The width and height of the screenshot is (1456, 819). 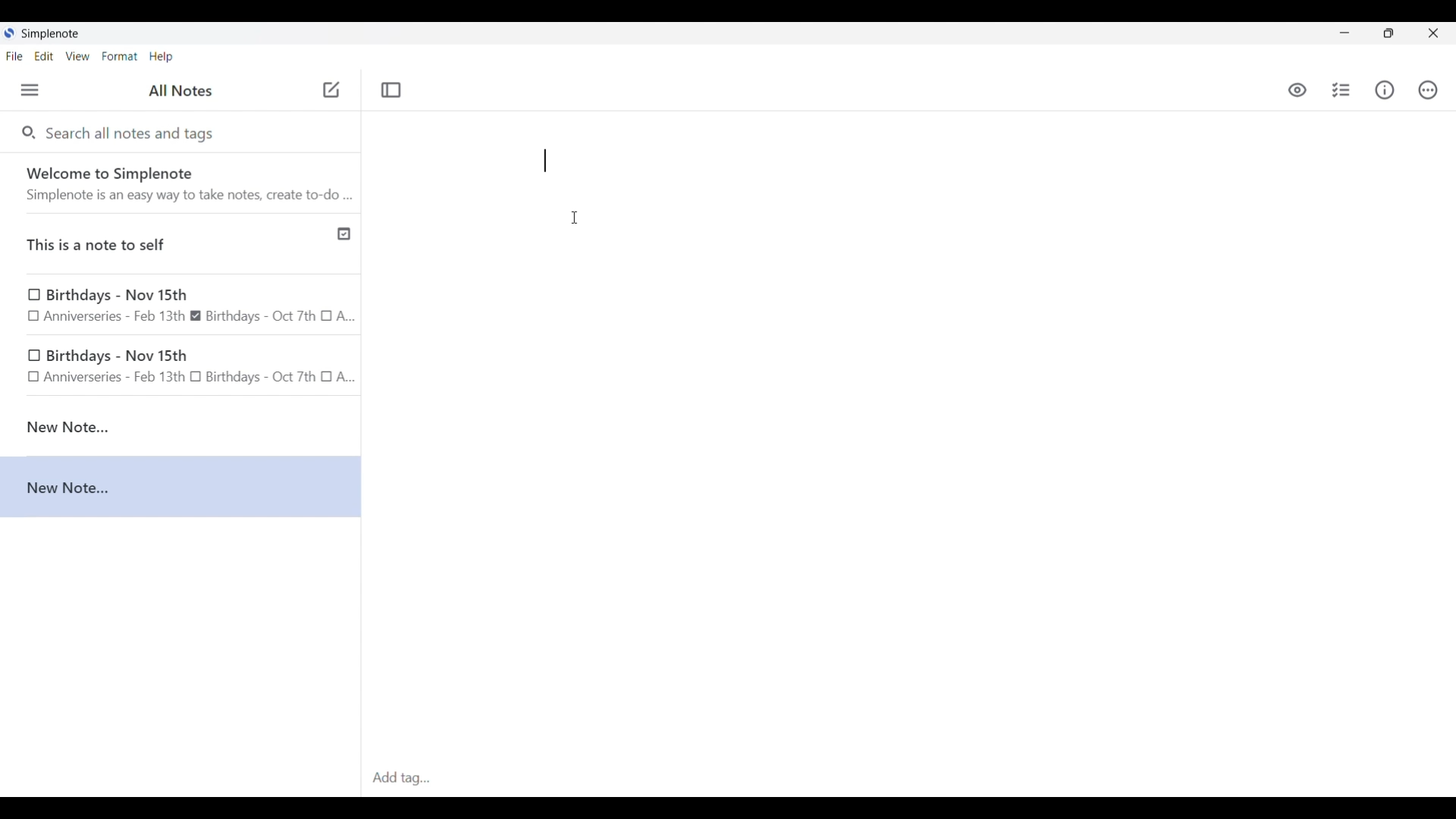 What do you see at coordinates (1342, 90) in the screenshot?
I see `Insert checklist` at bounding box center [1342, 90].